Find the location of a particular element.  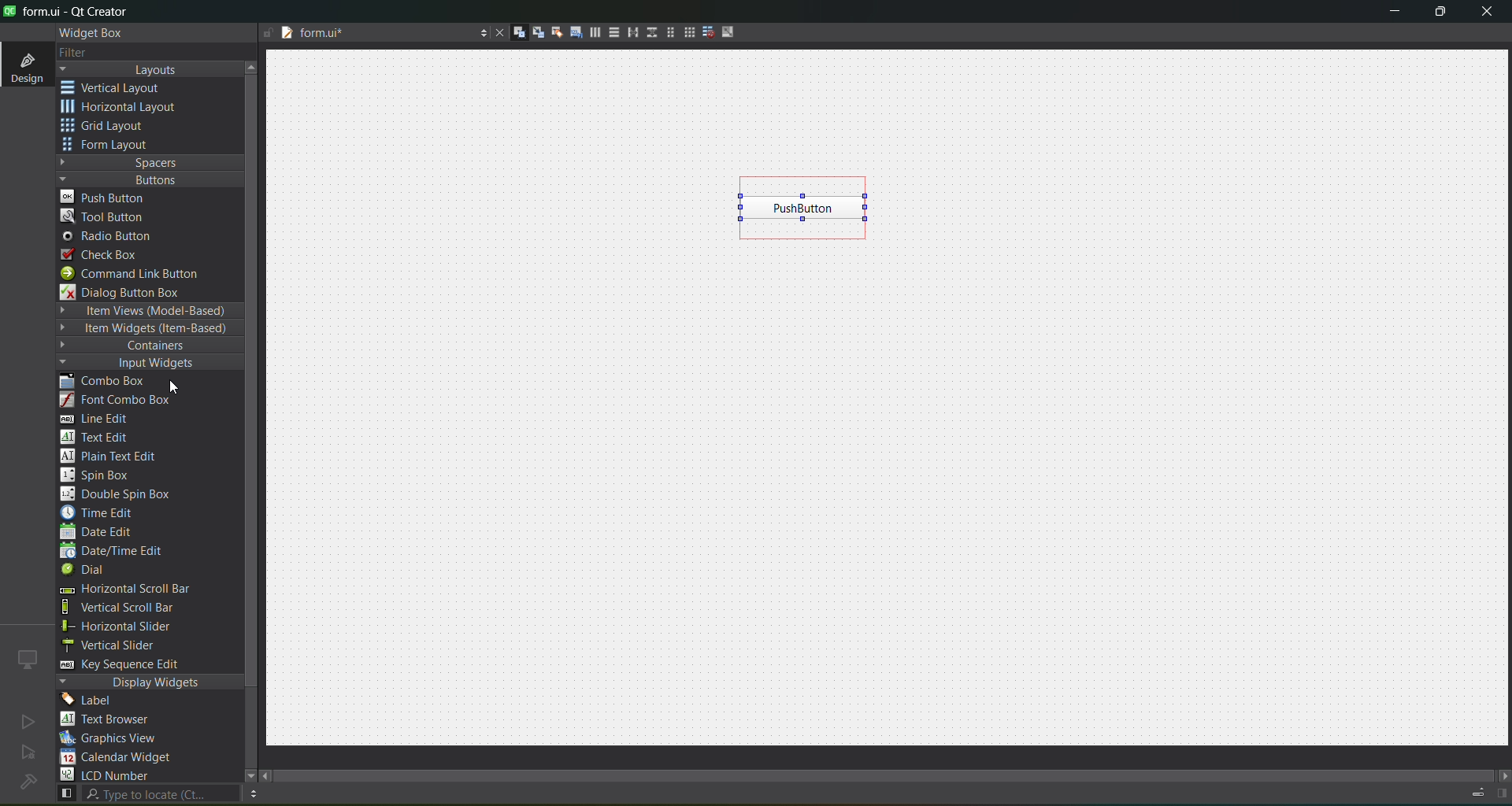

close document is located at coordinates (496, 34).